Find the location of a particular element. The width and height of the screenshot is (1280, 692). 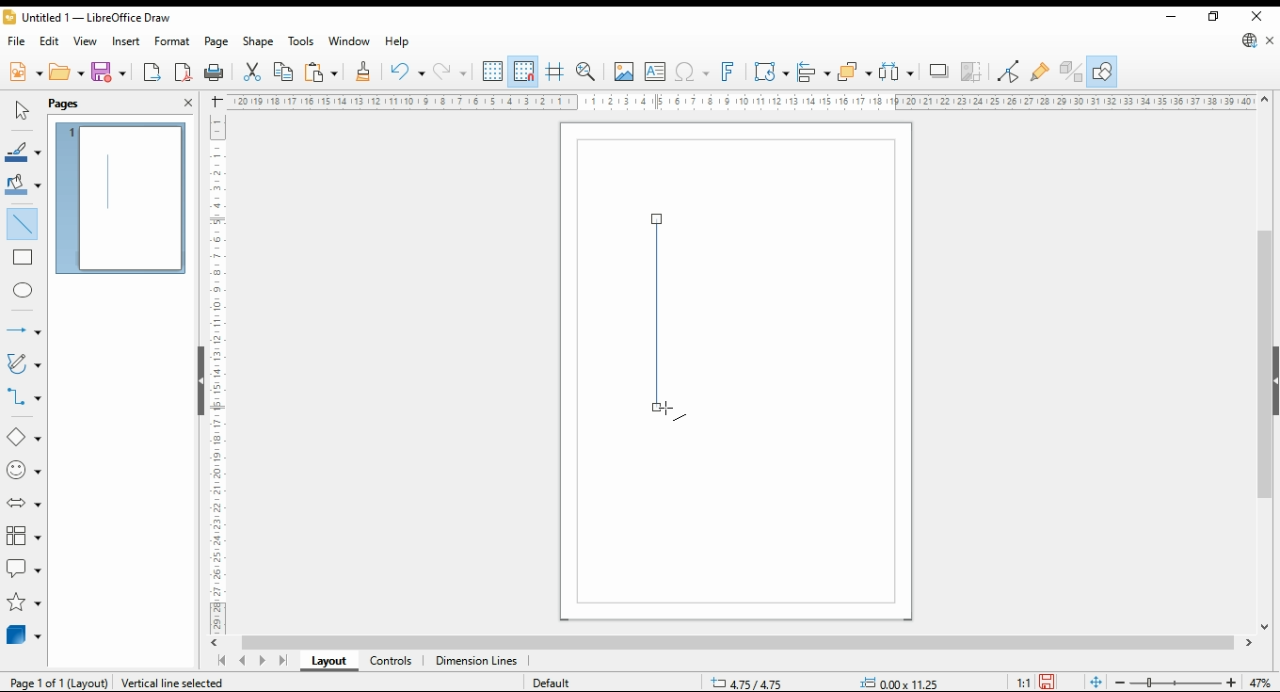

close pane is located at coordinates (187, 101).